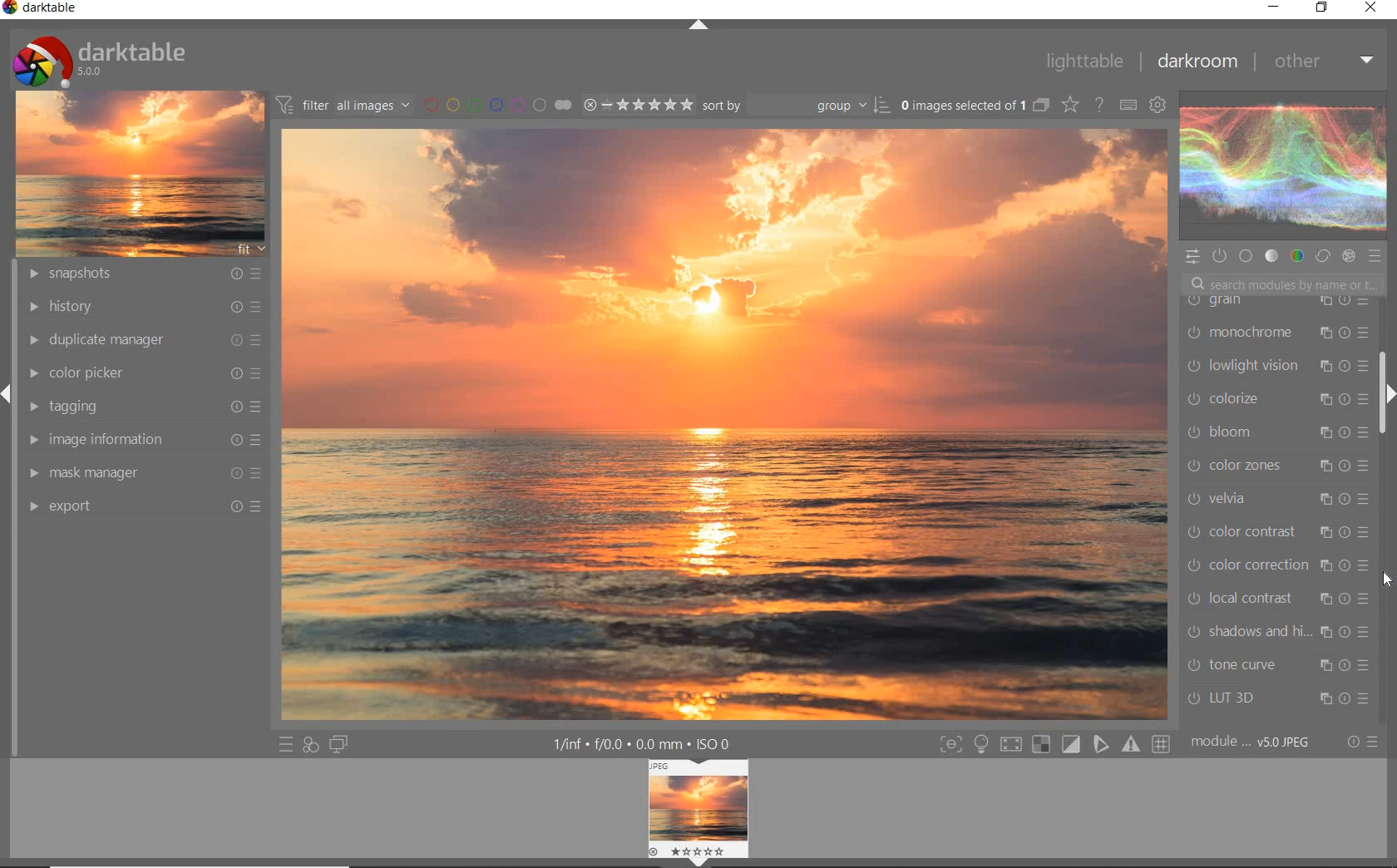 This screenshot has width=1397, height=868. Describe the element at coordinates (698, 814) in the screenshot. I see `IMAGE PREVIEW` at that location.